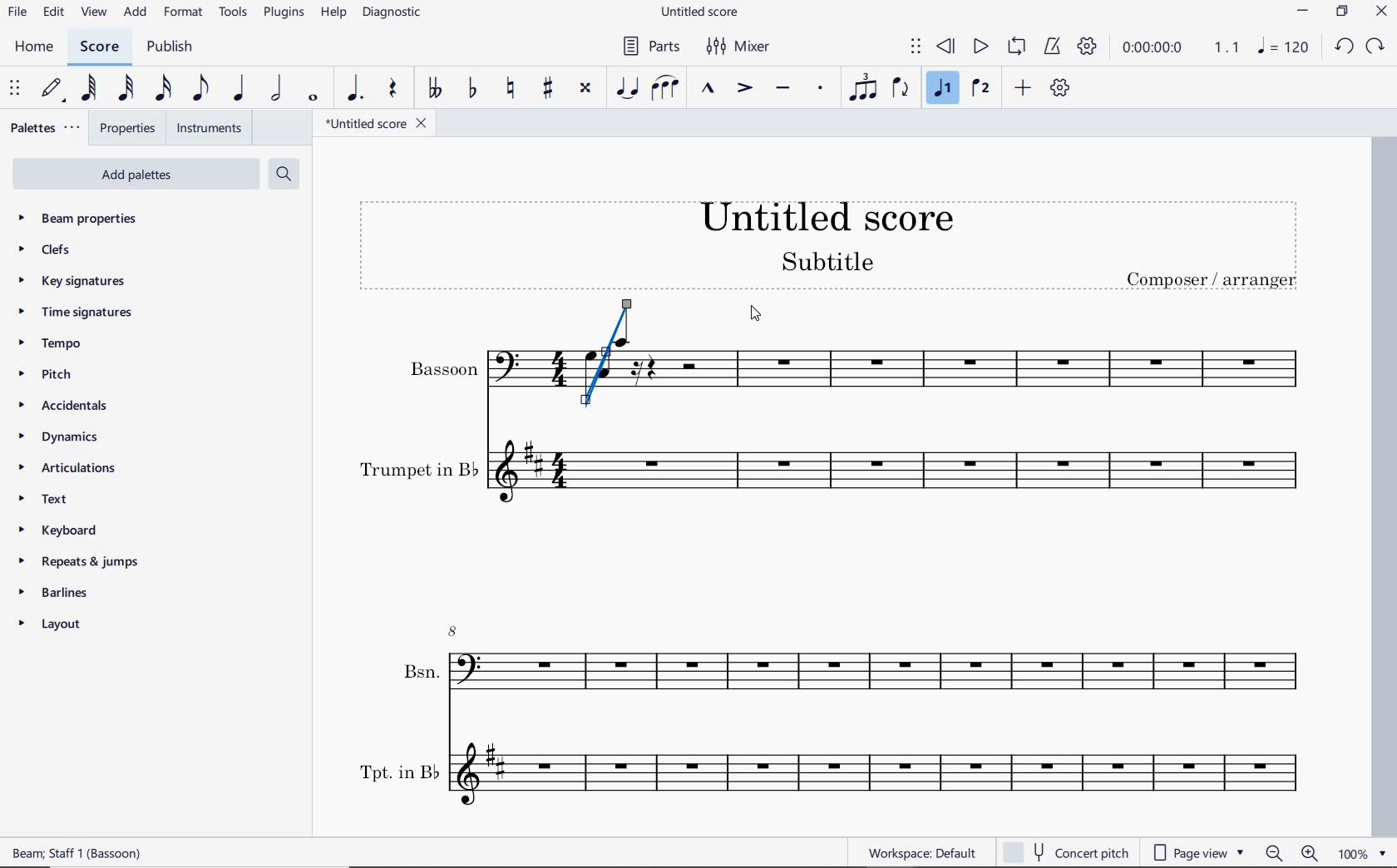 Image resolution: width=1397 pixels, height=868 pixels. What do you see at coordinates (901, 89) in the screenshot?
I see `flip direction` at bounding box center [901, 89].